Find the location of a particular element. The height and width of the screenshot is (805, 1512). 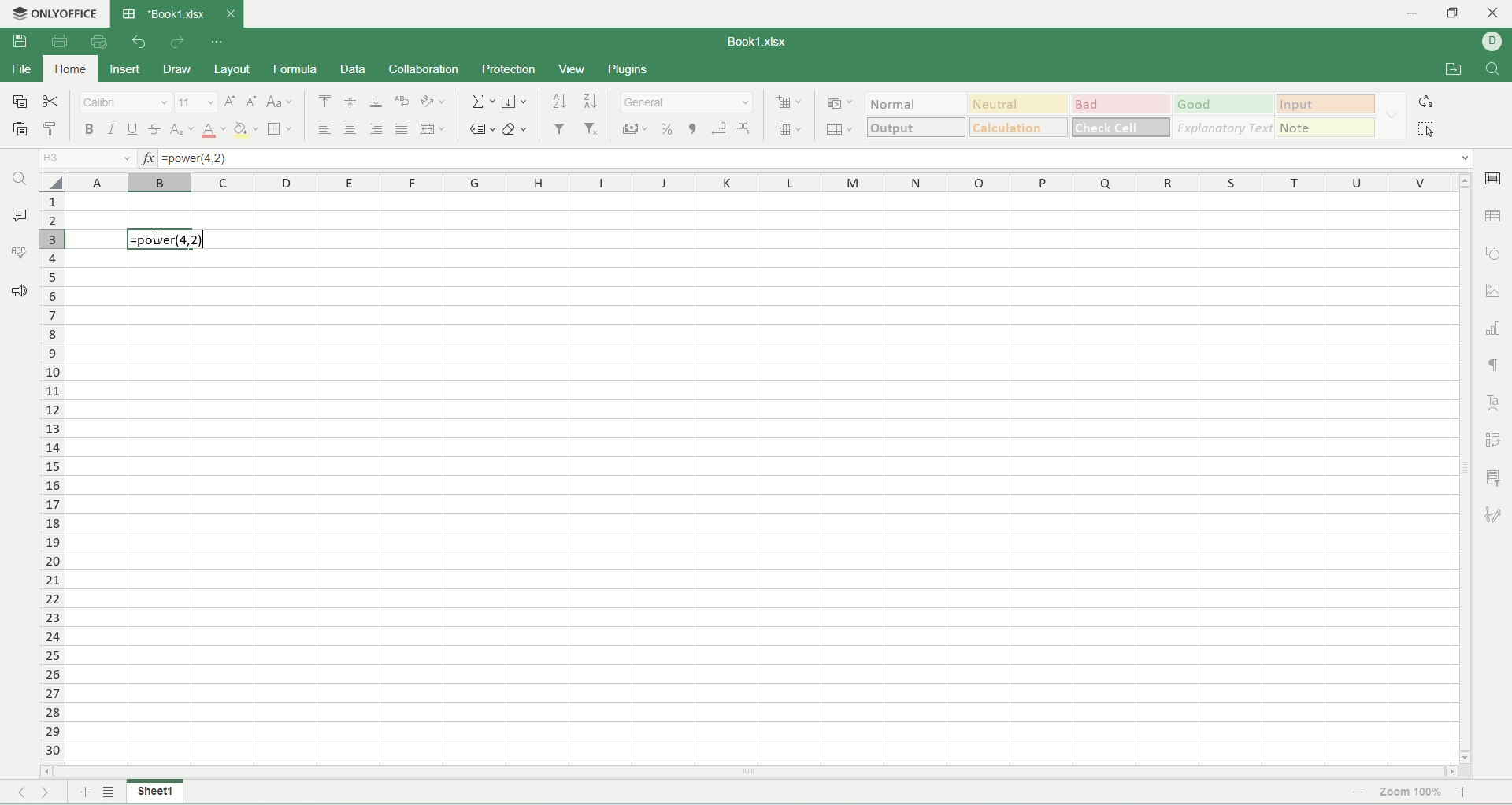

fill is located at coordinates (515, 101).